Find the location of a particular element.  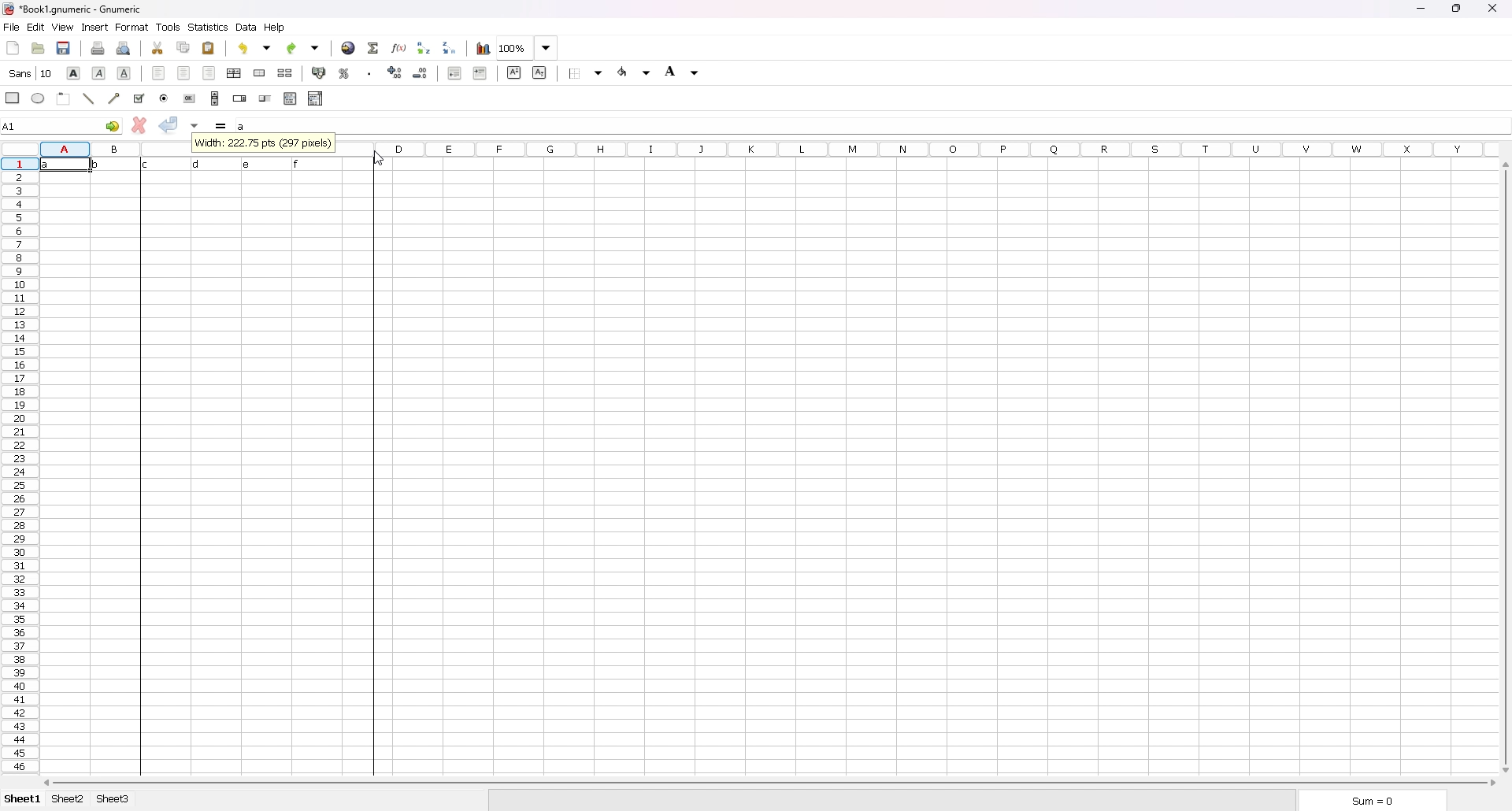

save is located at coordinates (65, 46).